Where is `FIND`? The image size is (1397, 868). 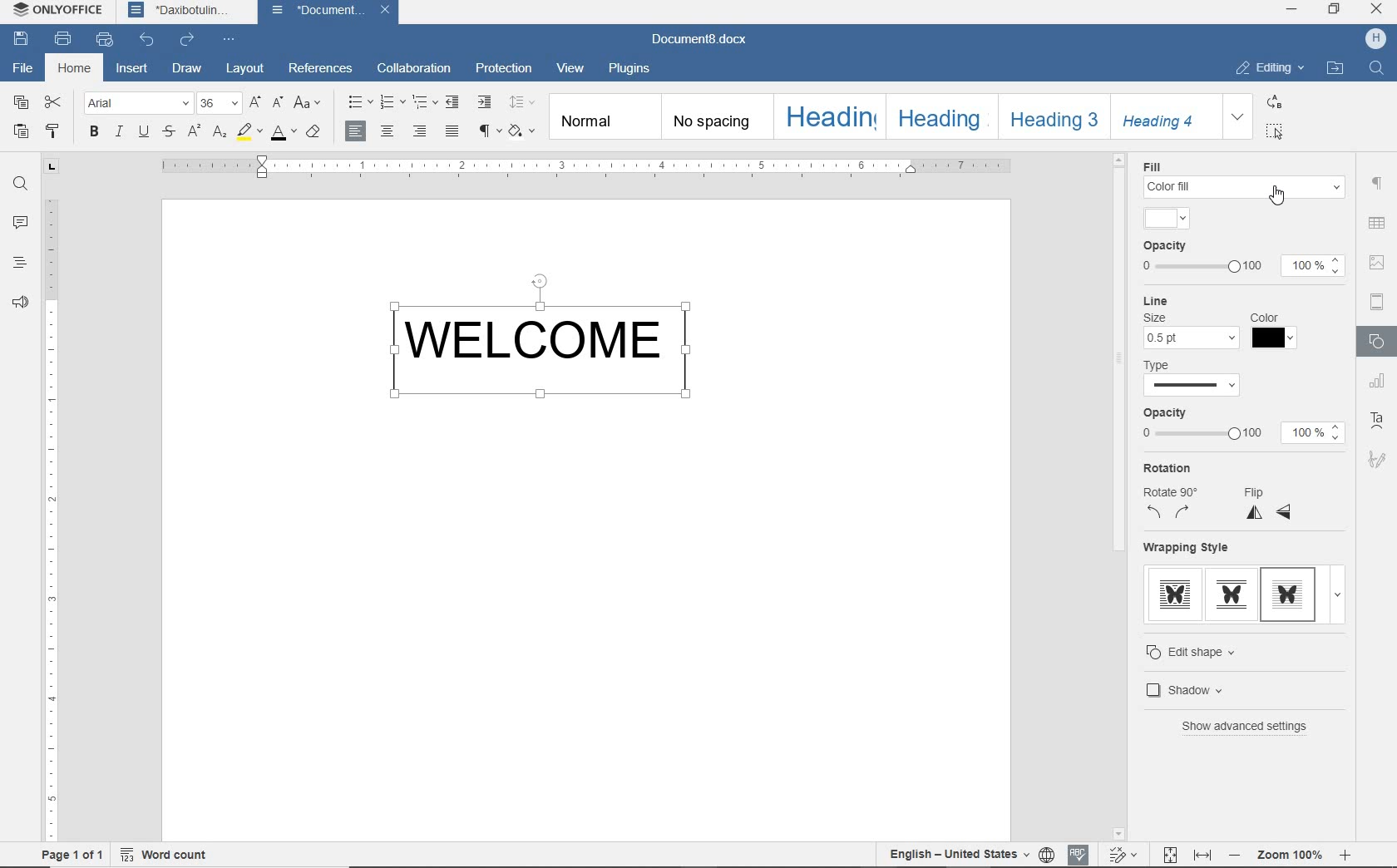
FIND is located at coordinates (1375, 70).